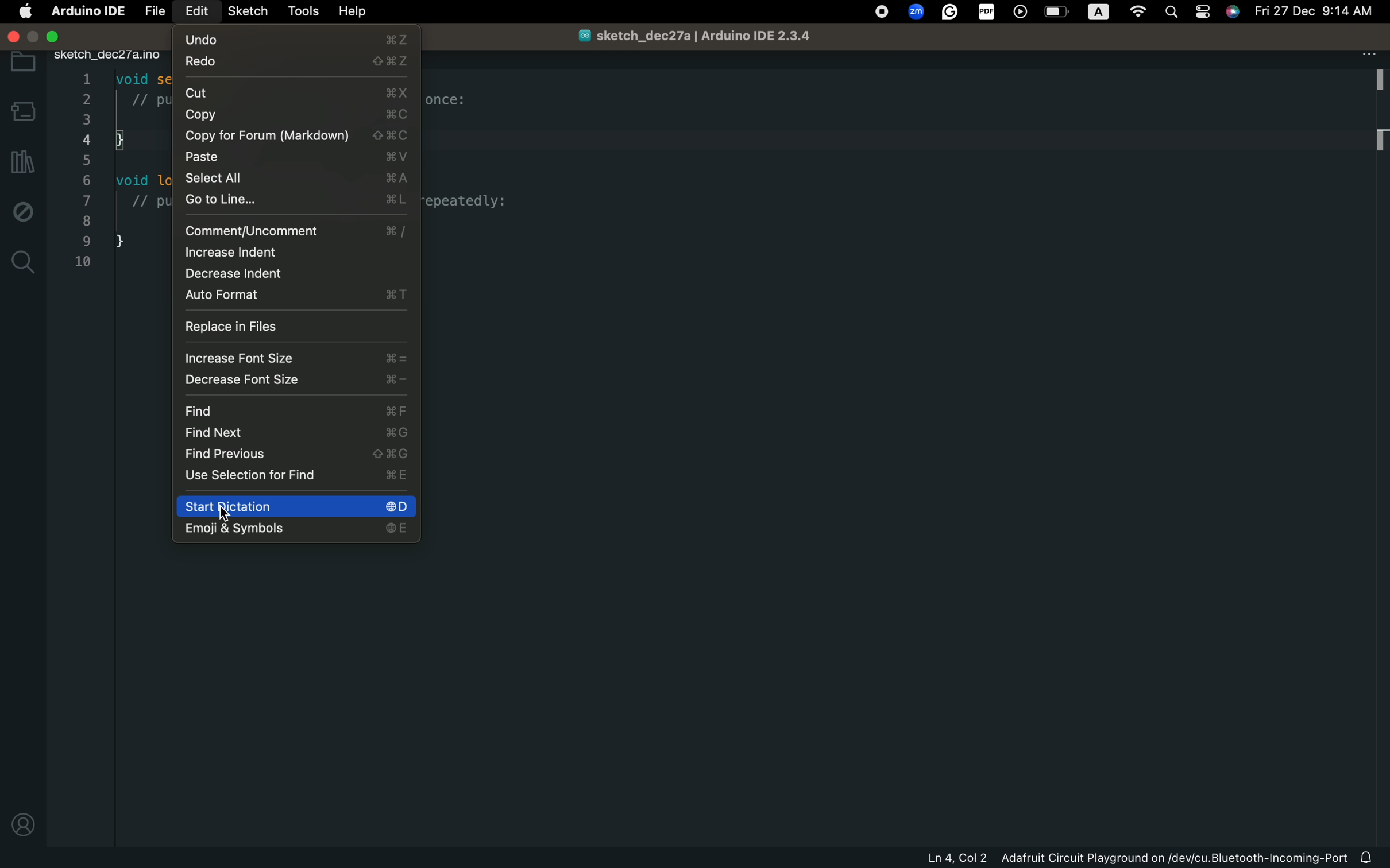  I want to click on paste, so click(296, 157).